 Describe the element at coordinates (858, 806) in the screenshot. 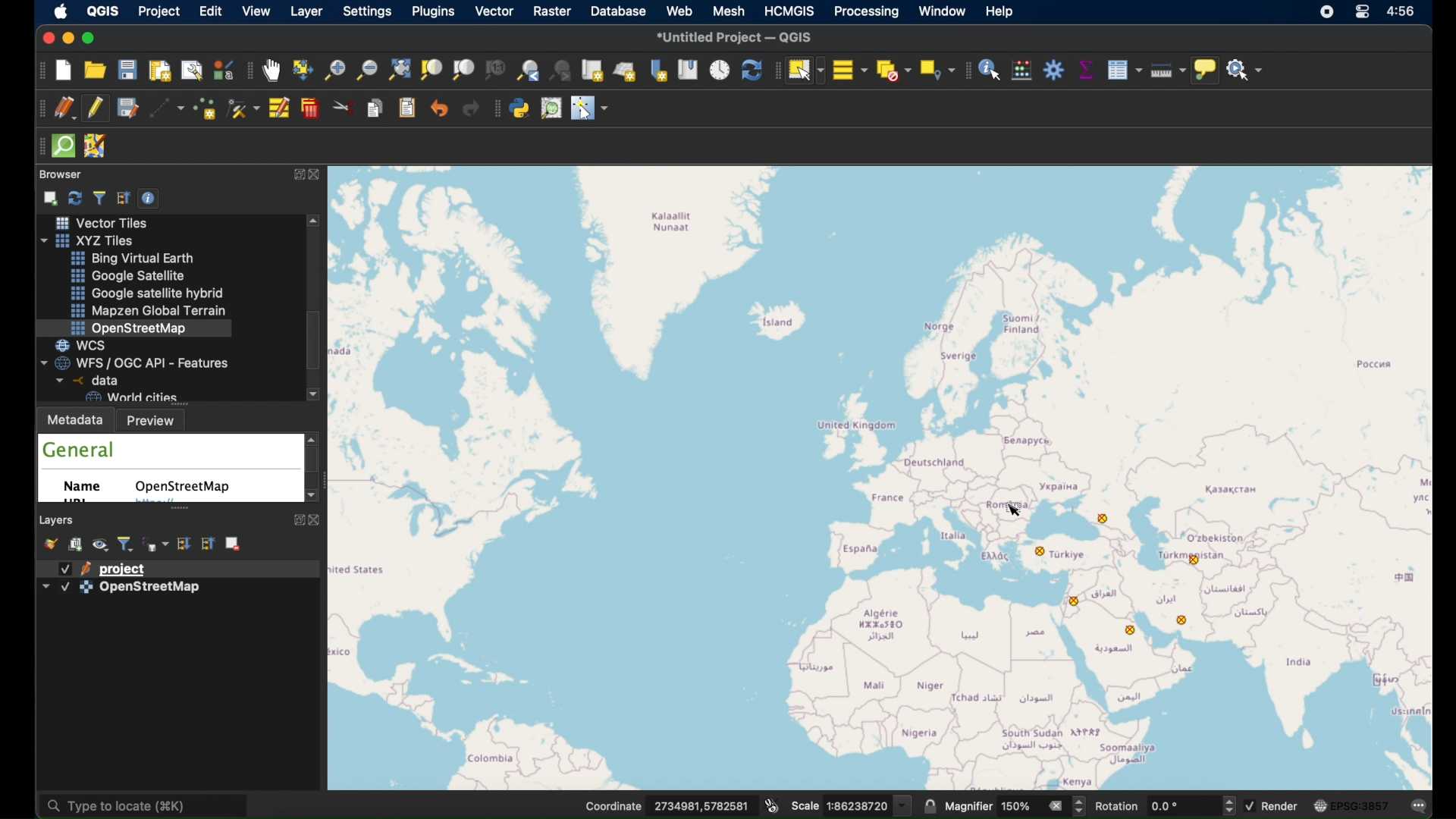

I see `Scale value` at that location.